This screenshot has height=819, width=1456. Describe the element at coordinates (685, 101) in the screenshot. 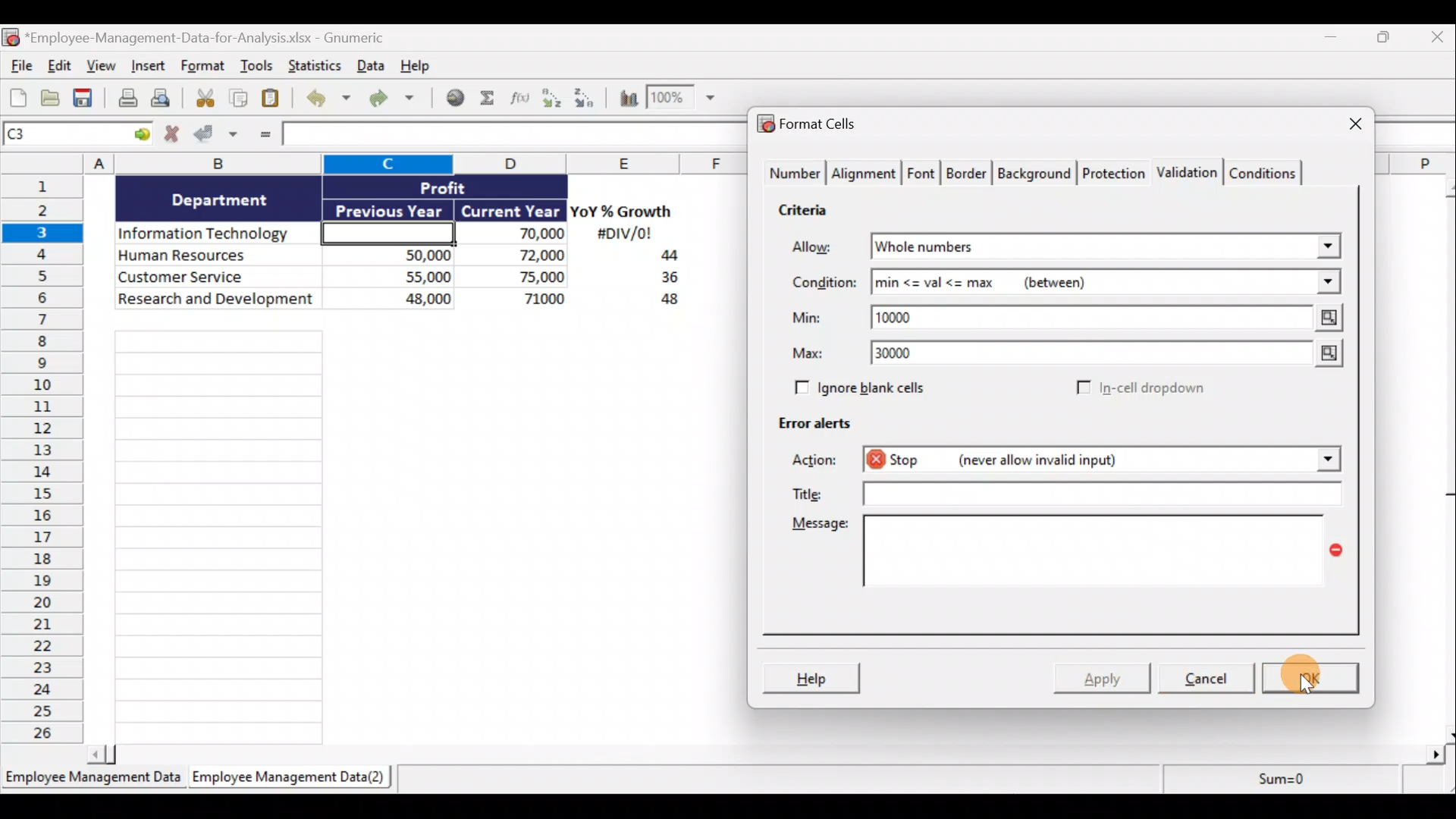

I see `Zoom` at that location.